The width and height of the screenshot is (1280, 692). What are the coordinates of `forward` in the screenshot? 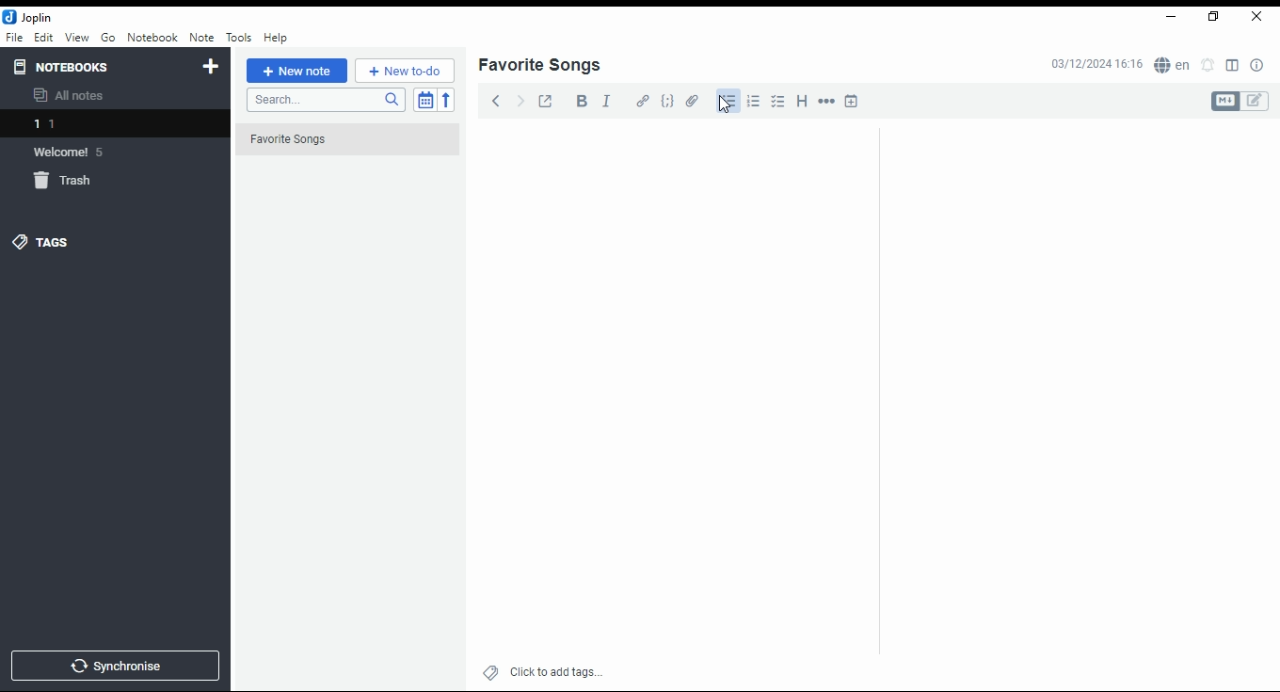 It's located at (520, 99).